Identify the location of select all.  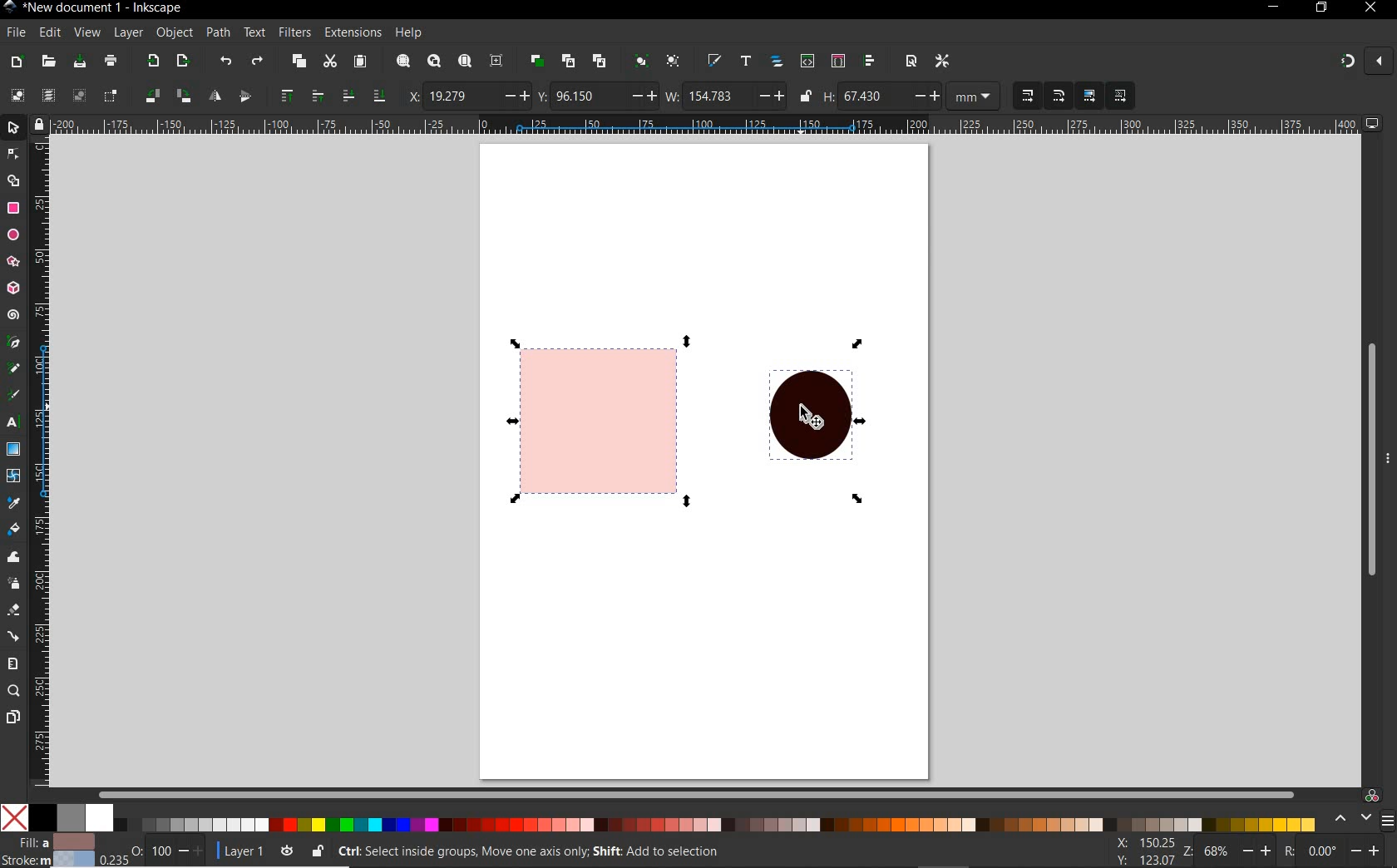
(17, 95).